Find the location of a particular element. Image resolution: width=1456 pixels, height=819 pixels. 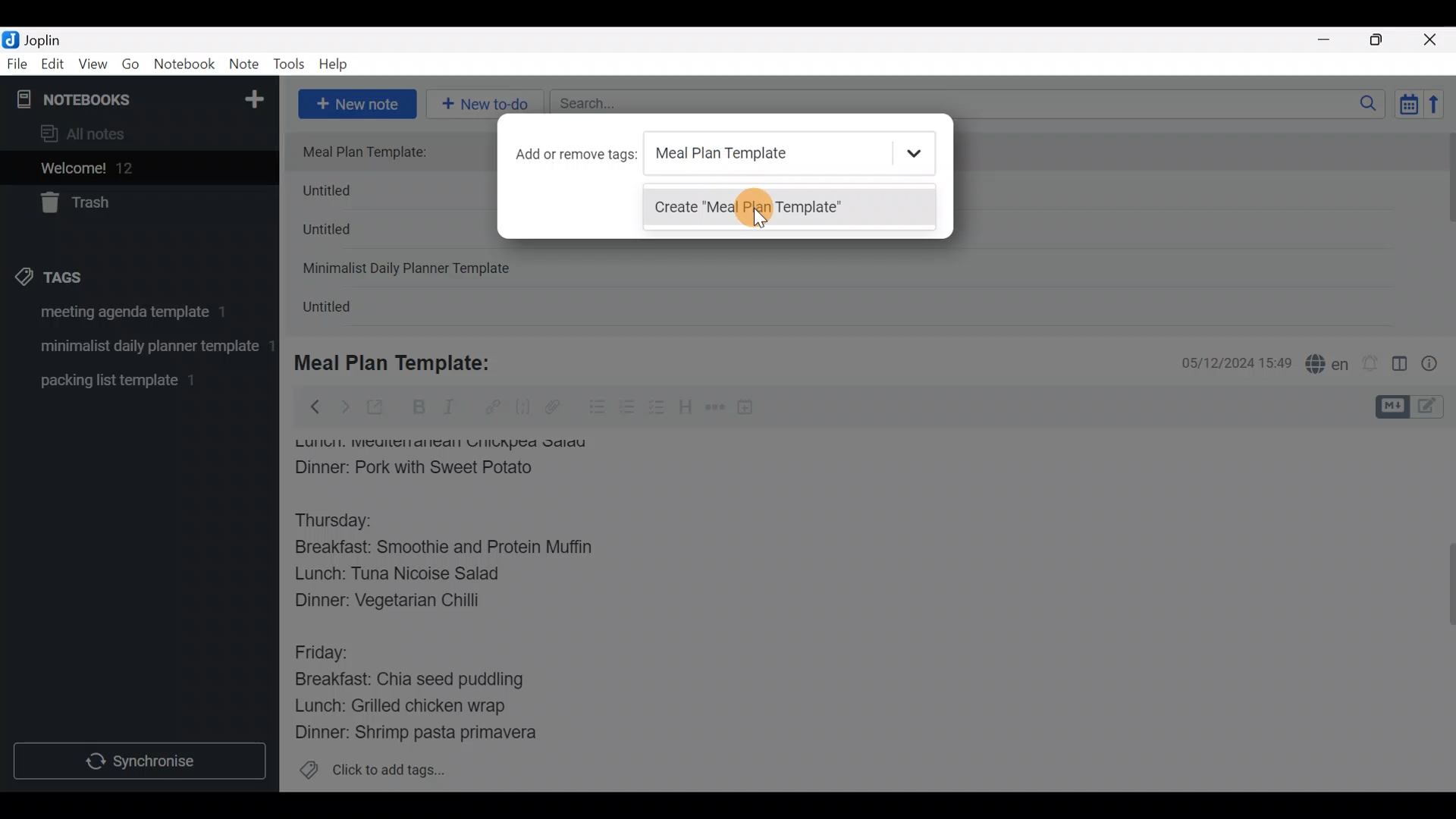

Bulleted list is located at coordinates (594, 408).